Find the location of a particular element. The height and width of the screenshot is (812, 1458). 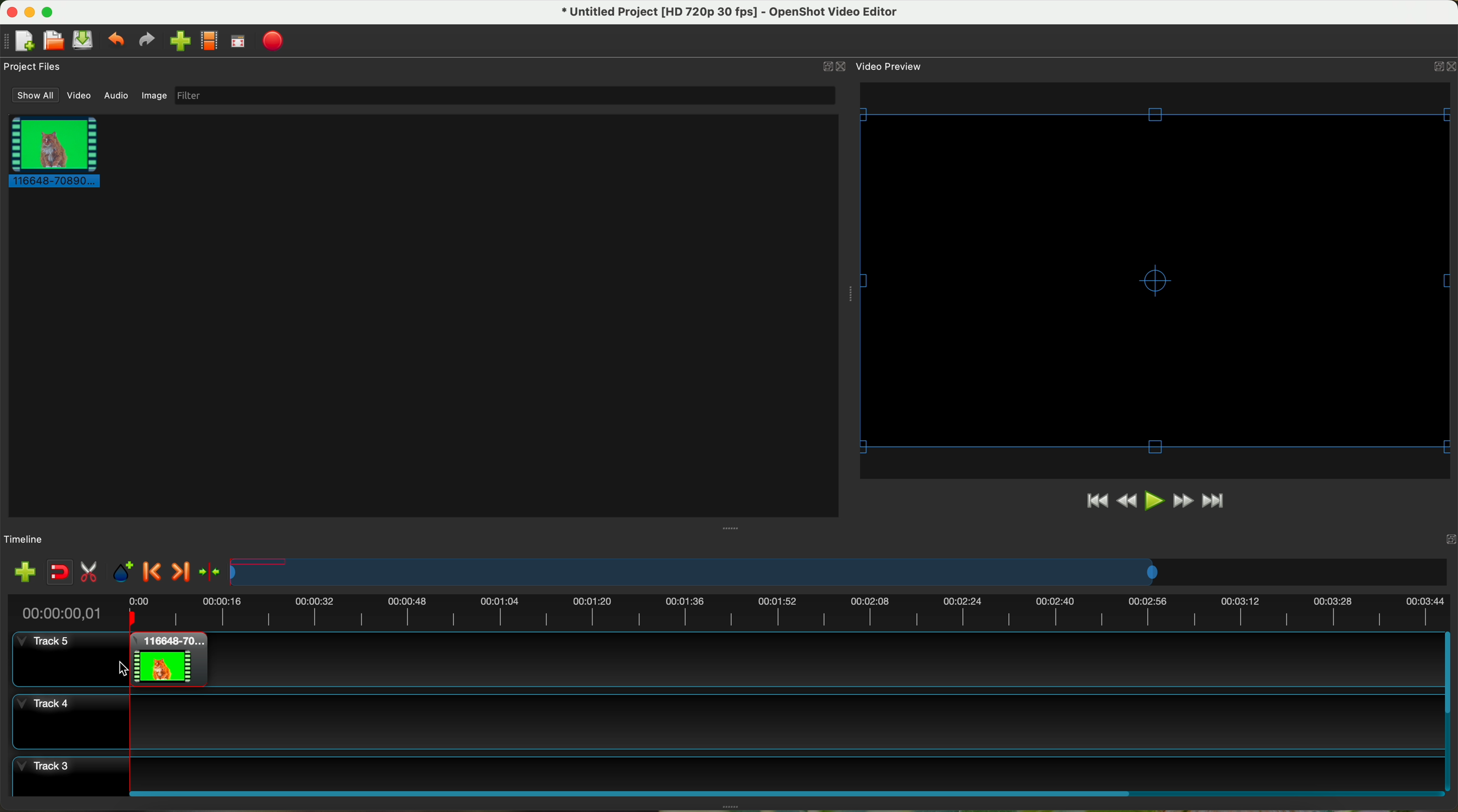

video preview is located at coordinates (891, 66).